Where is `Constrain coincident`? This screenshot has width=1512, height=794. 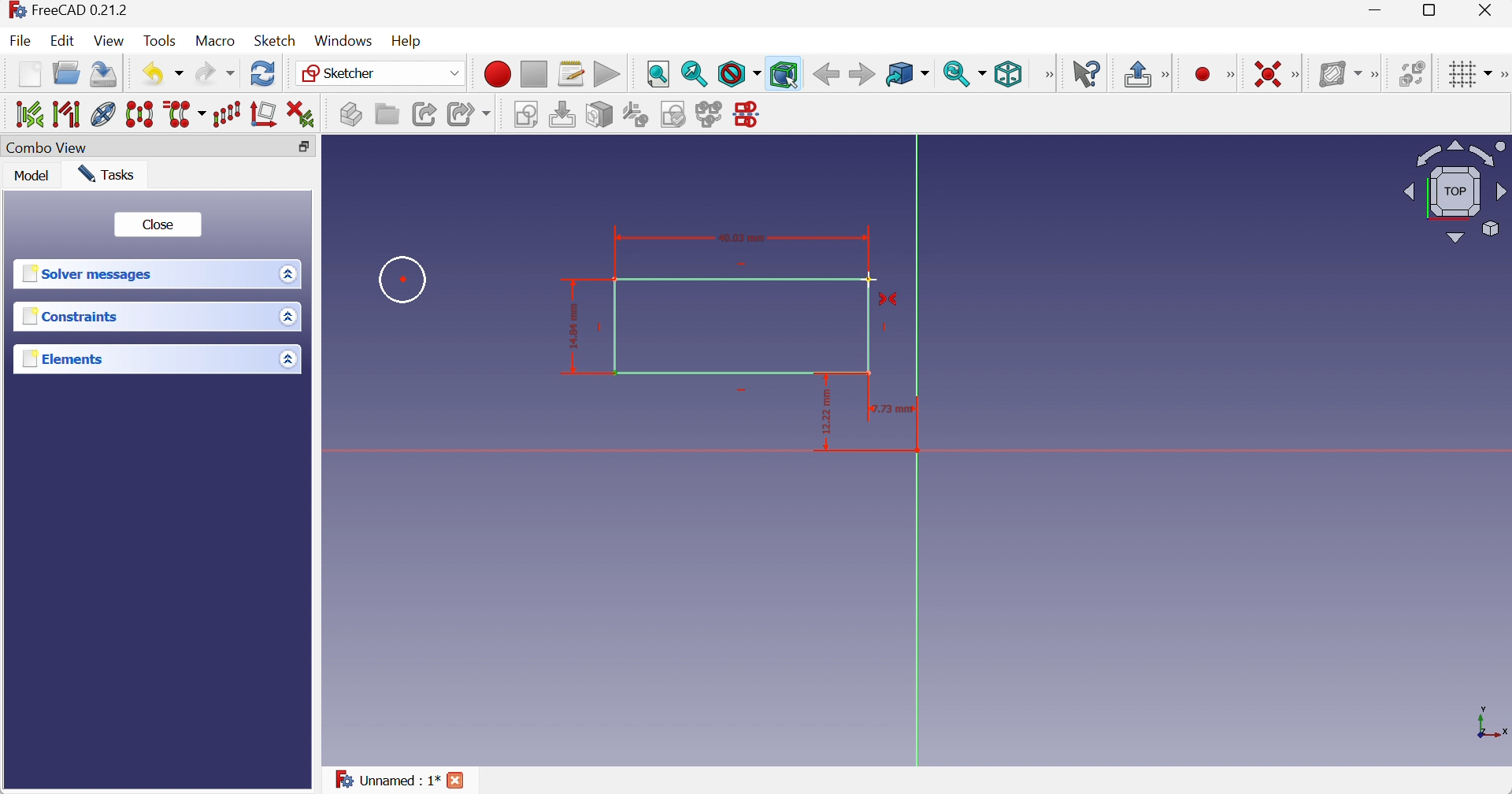
Constrain coincident is located at coordinates (1266, 72).